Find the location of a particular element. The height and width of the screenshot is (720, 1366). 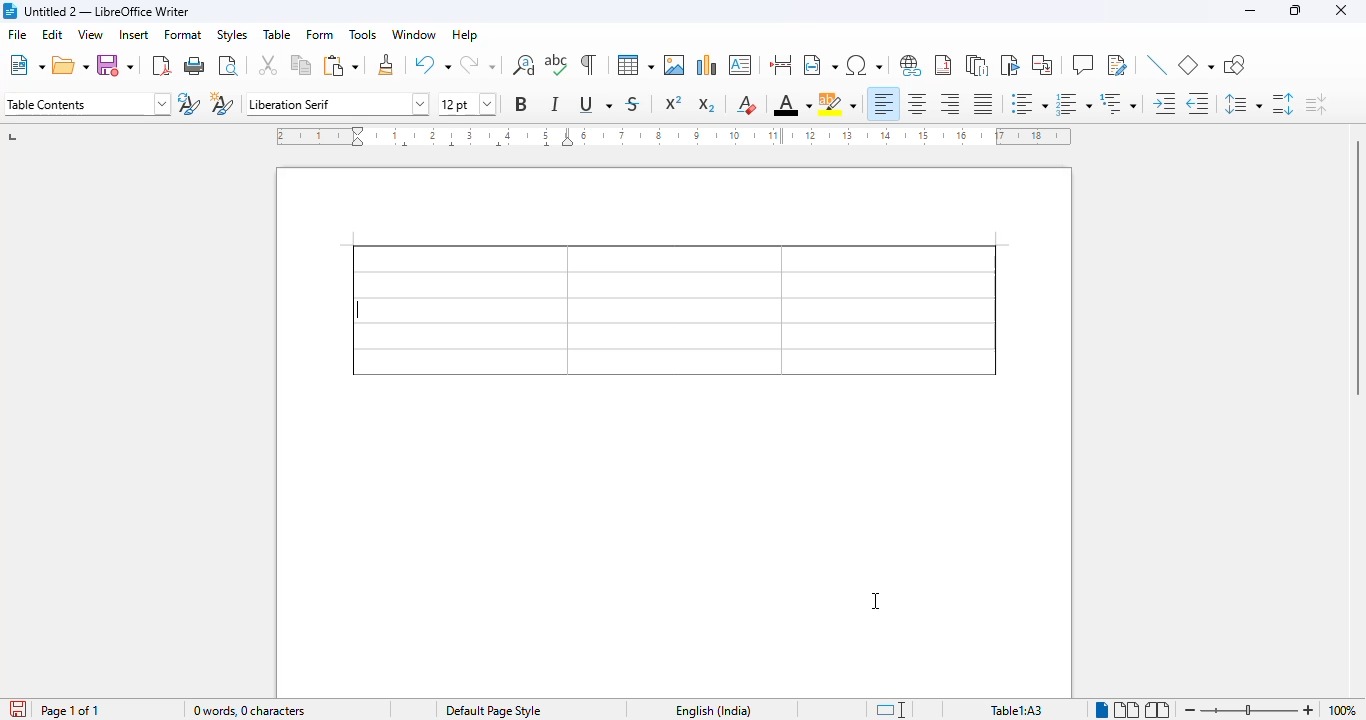

clear direct formatting is located at coordinates (747, 104).